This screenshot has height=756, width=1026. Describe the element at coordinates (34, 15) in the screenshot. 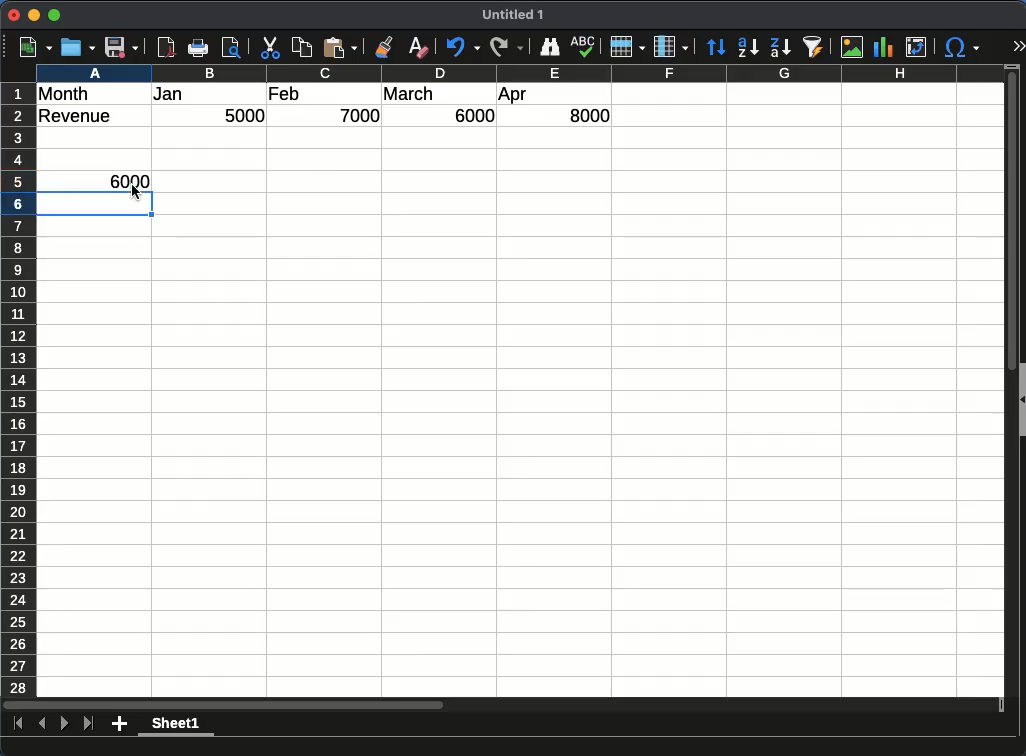

I see `minimize` at that location.